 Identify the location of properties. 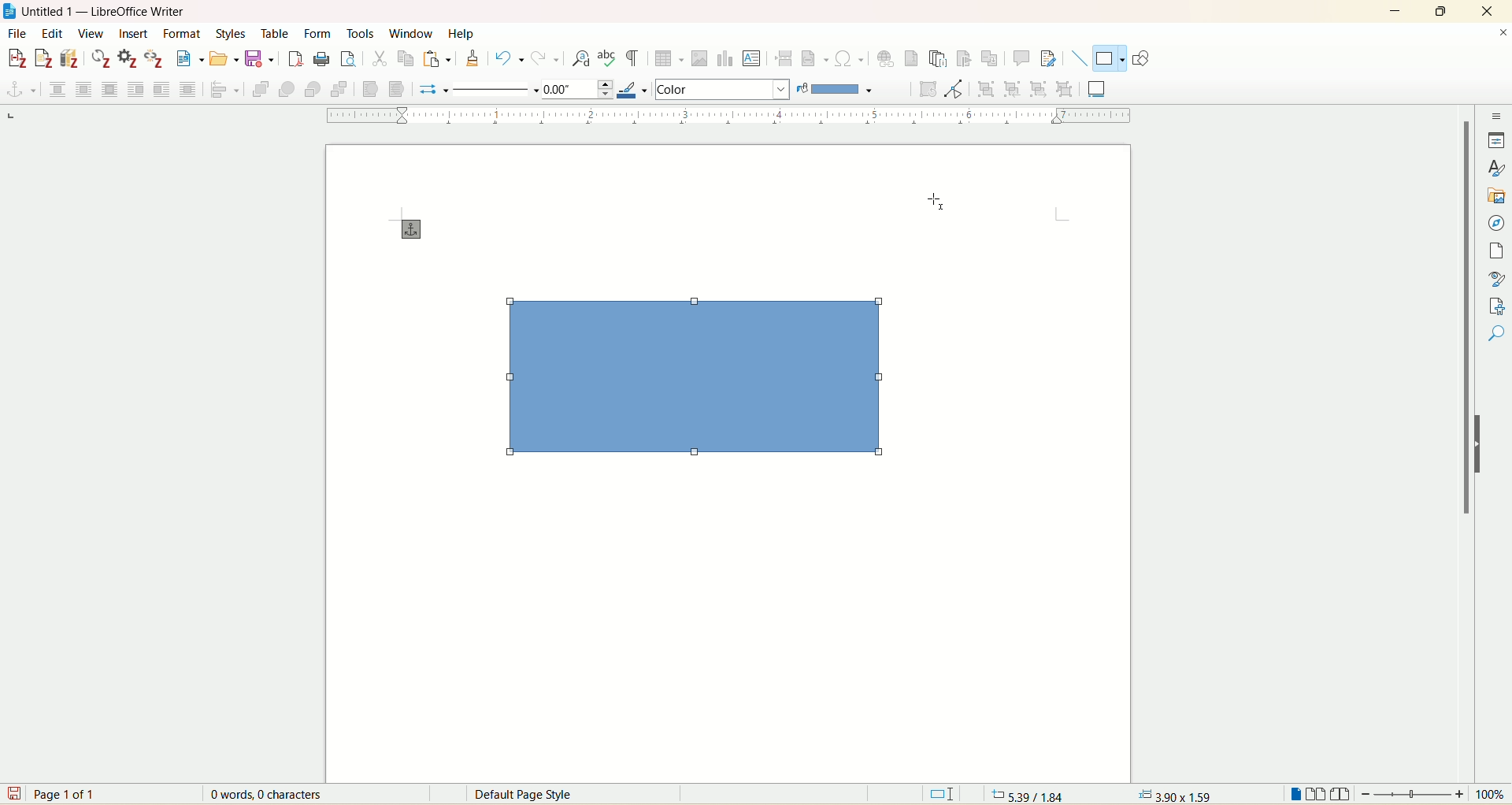
(1496, 140).